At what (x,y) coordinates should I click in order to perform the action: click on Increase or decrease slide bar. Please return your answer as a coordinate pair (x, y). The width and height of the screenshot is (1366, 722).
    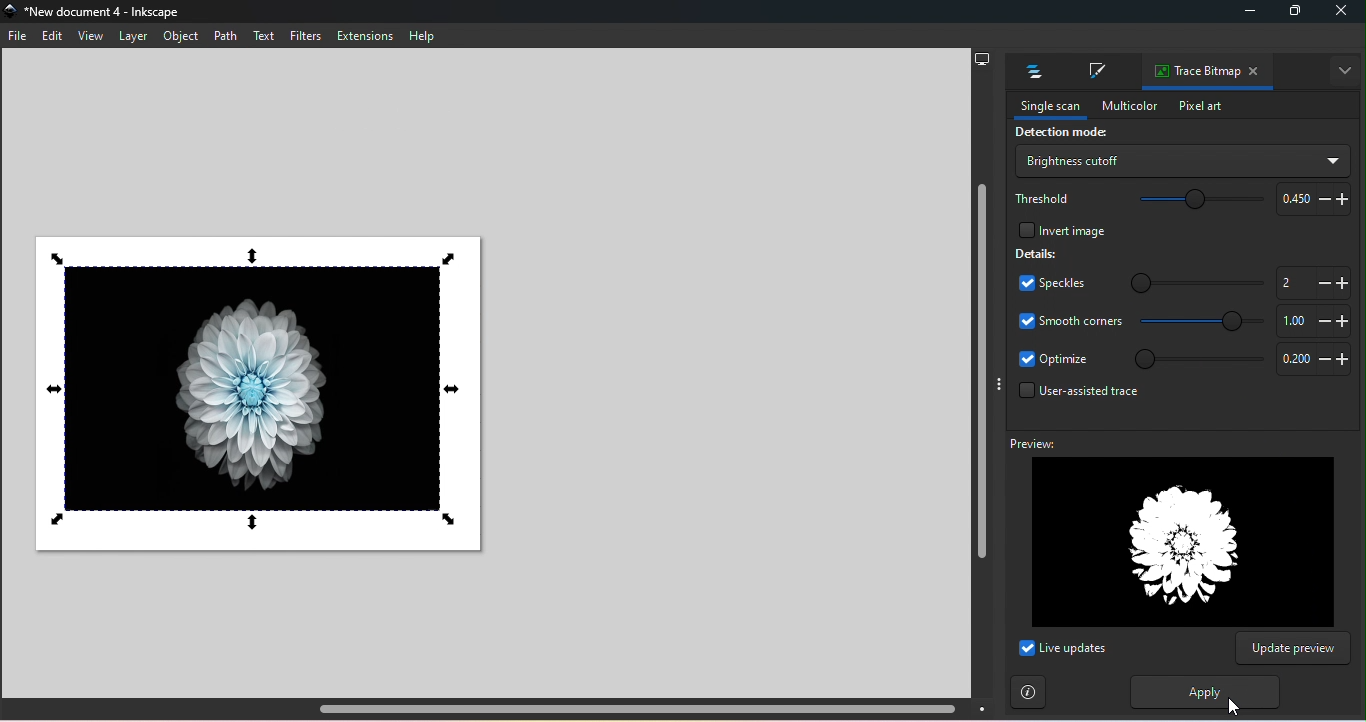
    Looking at the image, I should click on (1309, 282).